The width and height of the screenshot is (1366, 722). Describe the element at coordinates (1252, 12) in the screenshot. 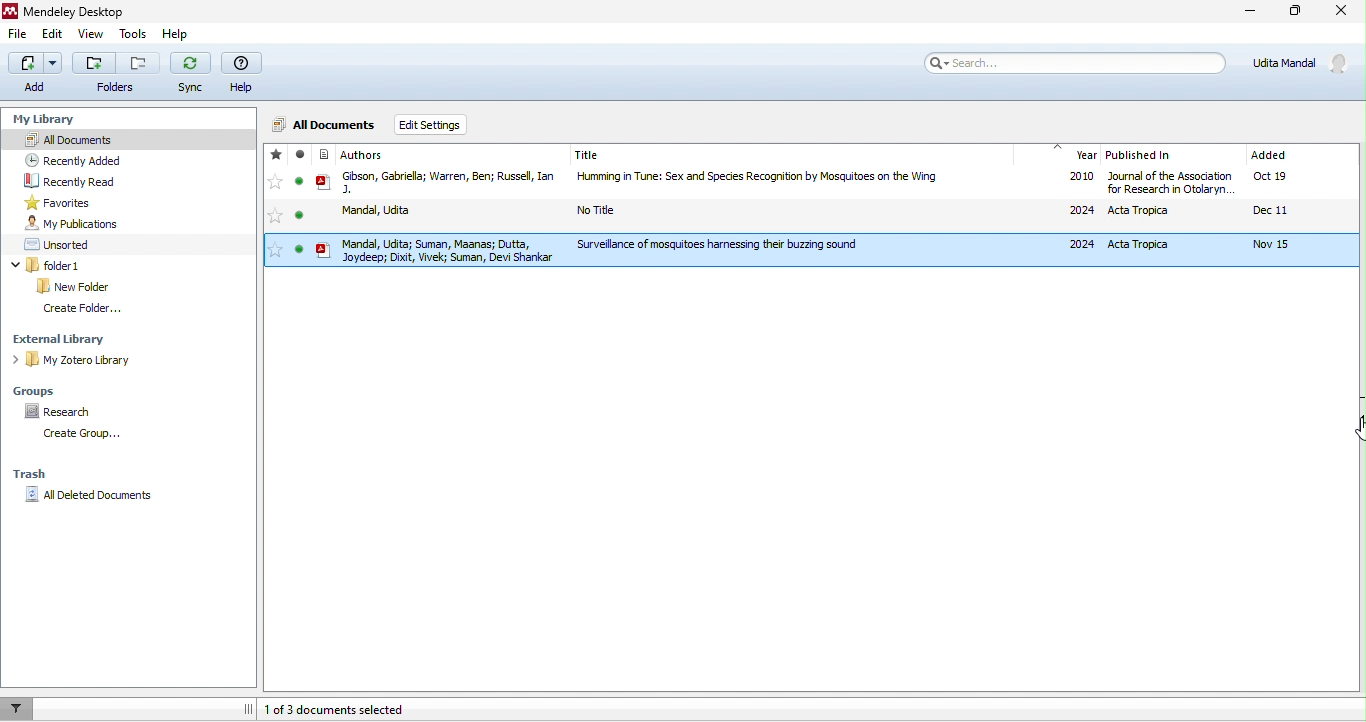

I see `minimize` at that location.